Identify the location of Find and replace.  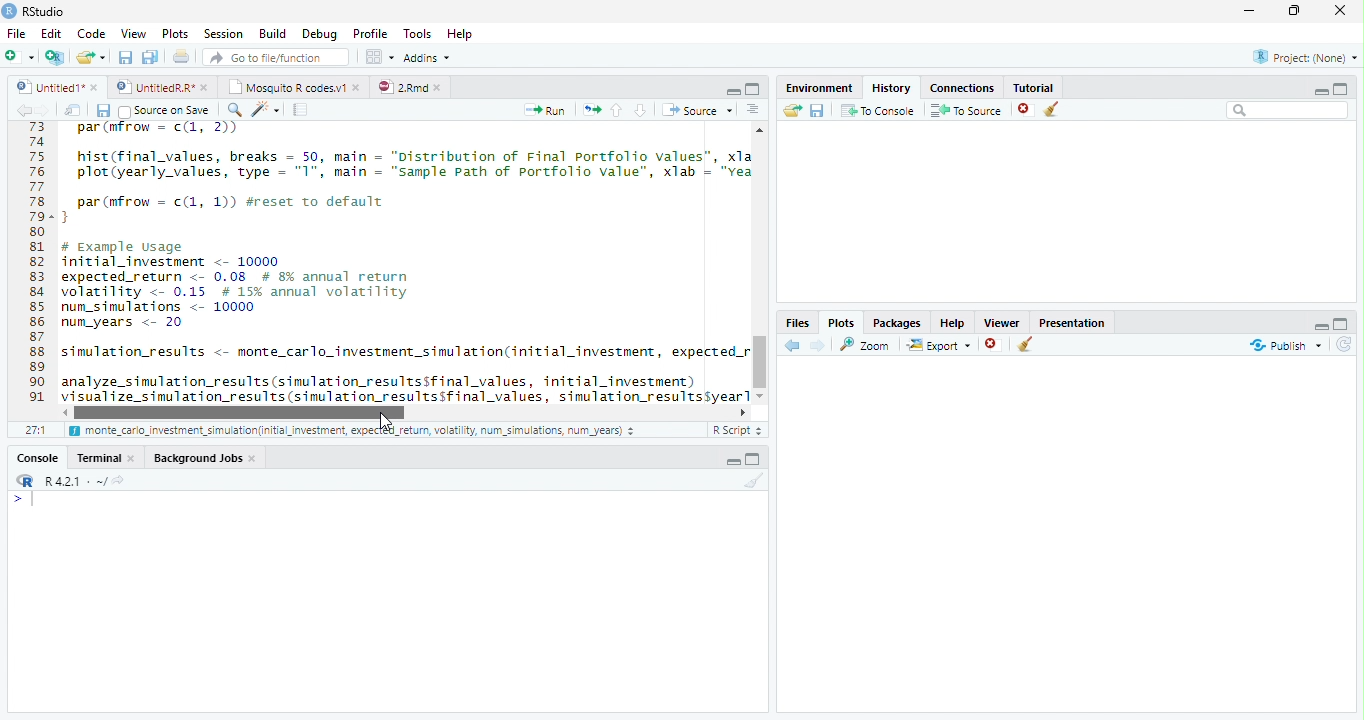
(235, 110).